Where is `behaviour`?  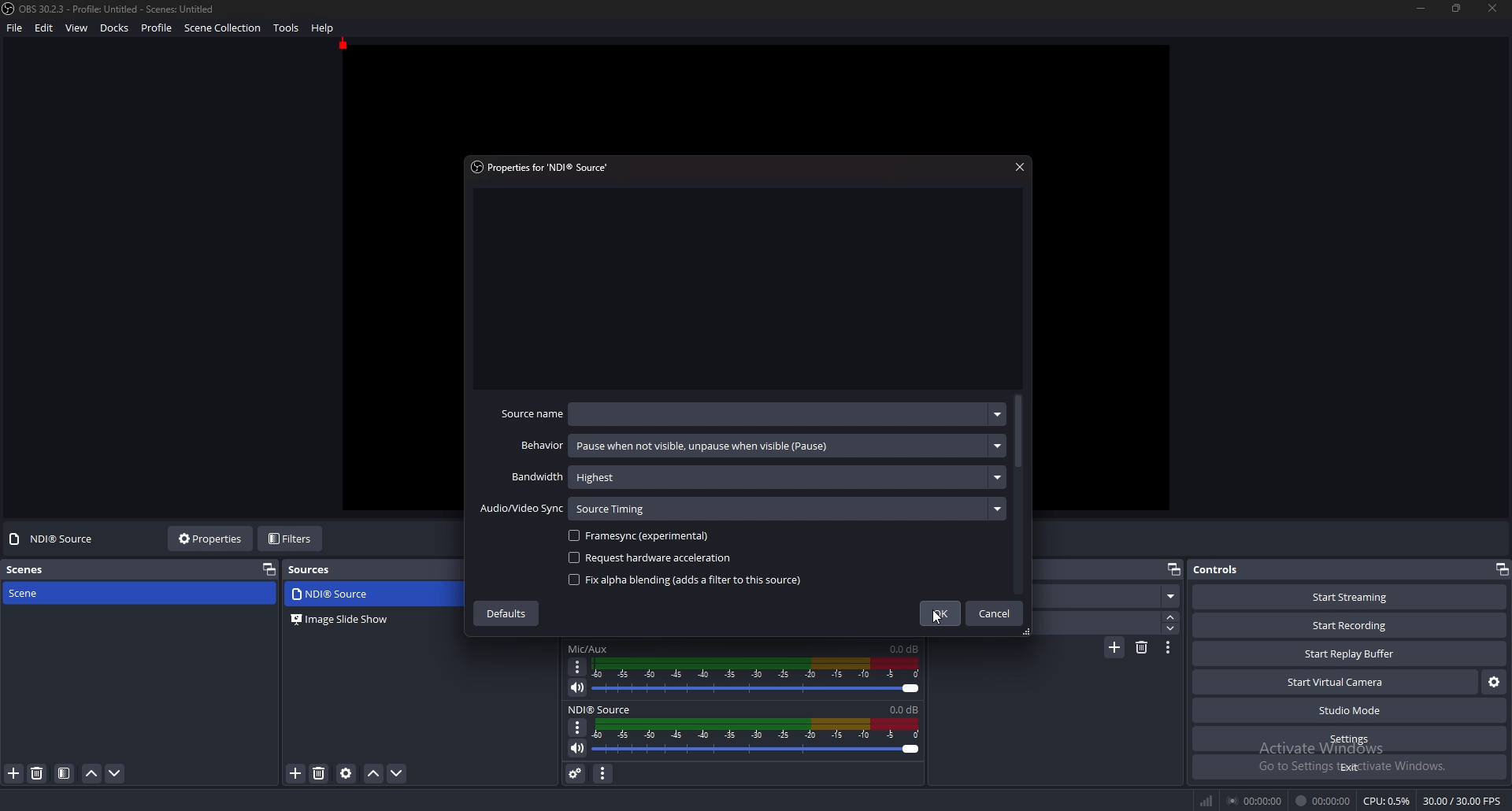
behaviour is located at coordinates (761, 445).